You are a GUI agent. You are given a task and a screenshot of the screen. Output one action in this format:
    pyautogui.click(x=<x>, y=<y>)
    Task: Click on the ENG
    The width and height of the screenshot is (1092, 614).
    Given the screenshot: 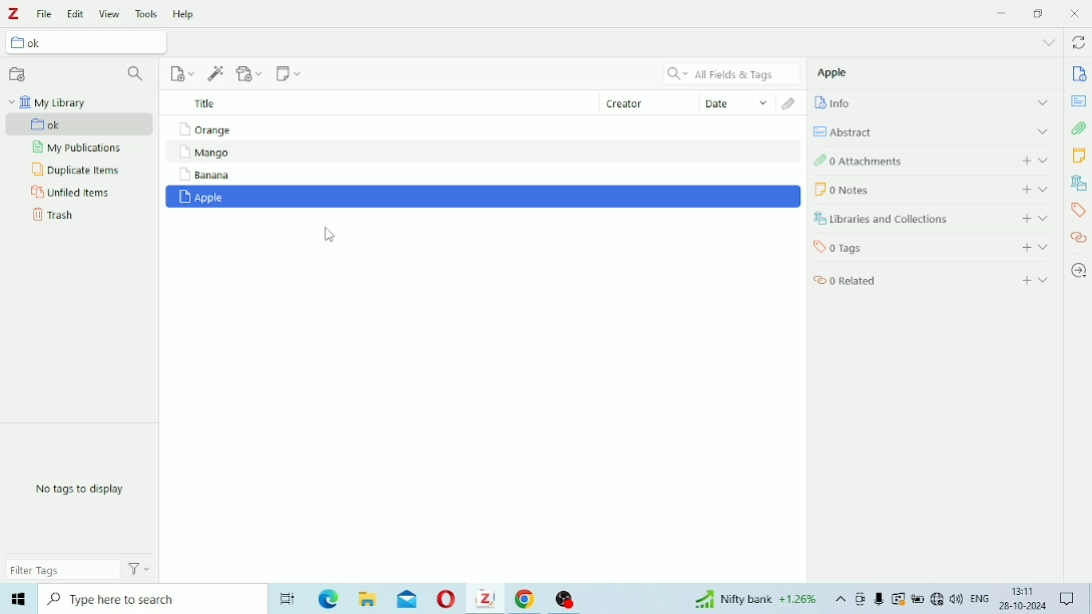 What is the action you would take?
    pyautogui.click(x=979, y=600)
    